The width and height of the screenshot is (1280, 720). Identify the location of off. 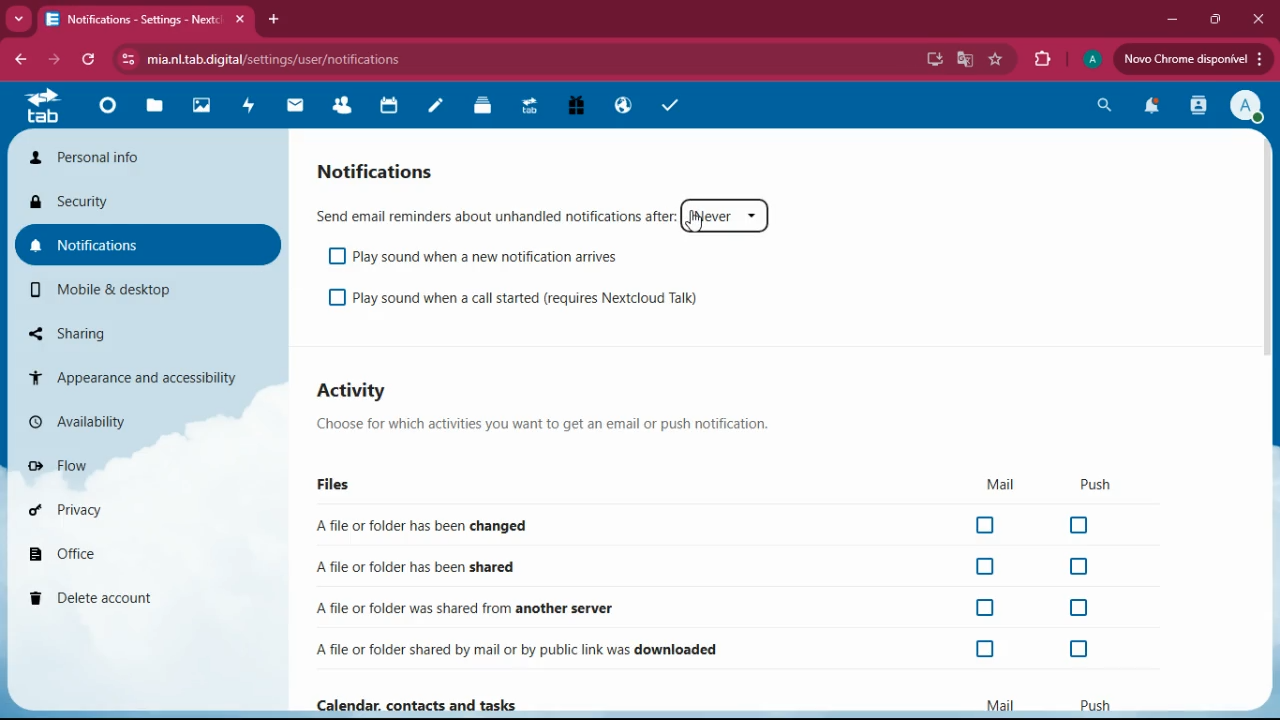
(984, 608).